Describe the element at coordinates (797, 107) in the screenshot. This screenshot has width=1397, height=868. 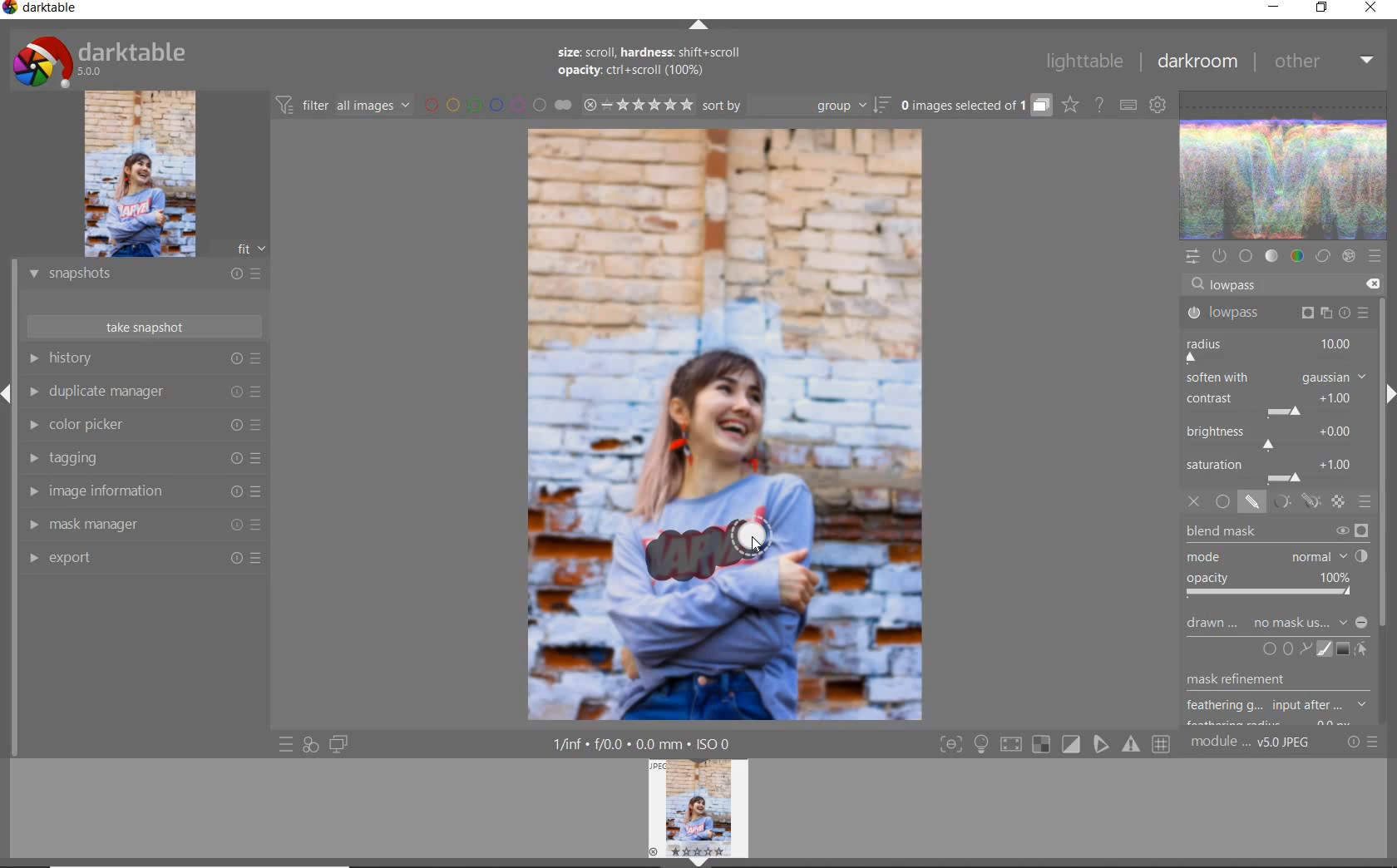
I see `sort` at that location.